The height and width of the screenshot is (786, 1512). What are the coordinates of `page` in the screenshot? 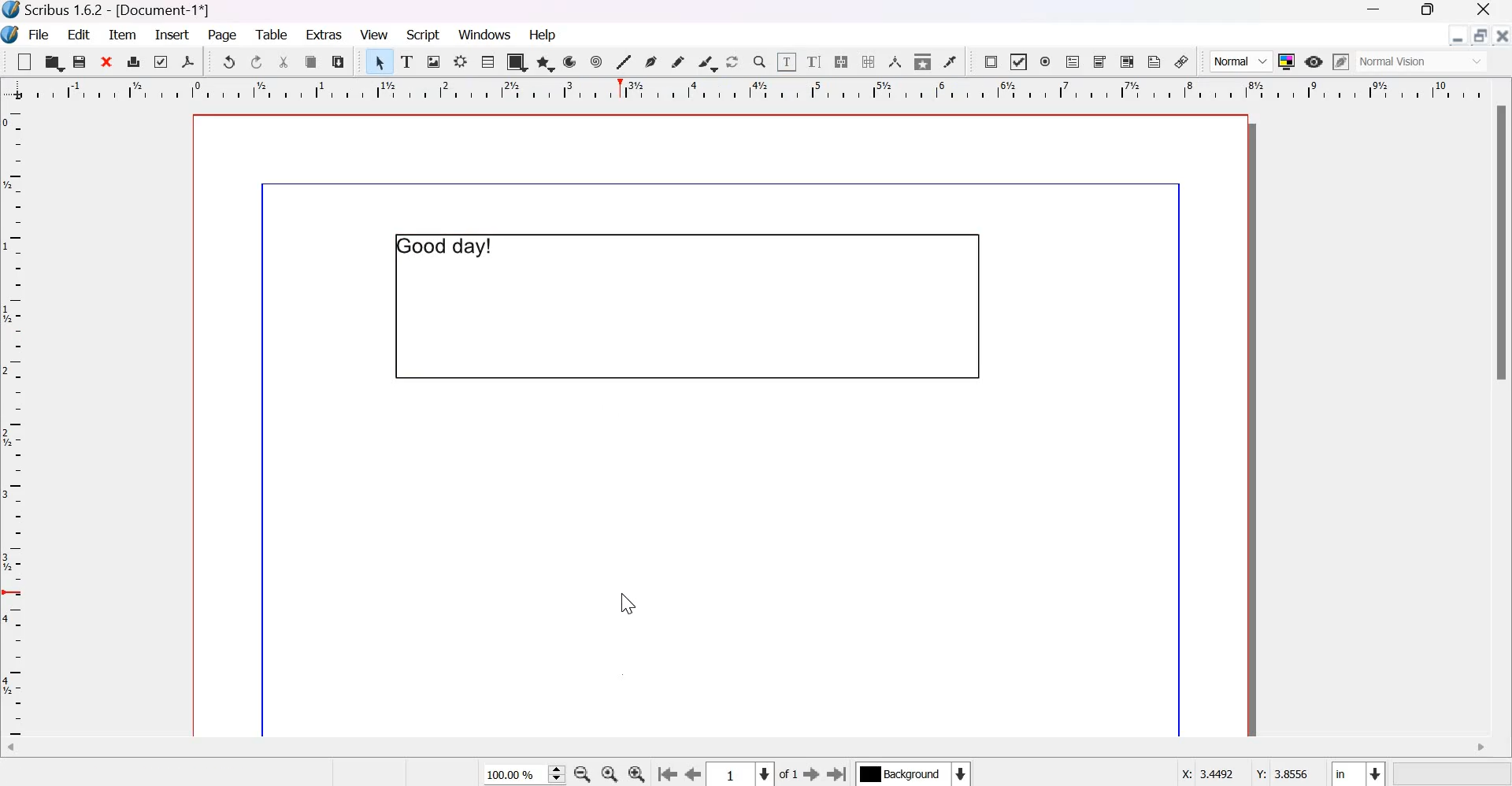 It's located at (224, 36).